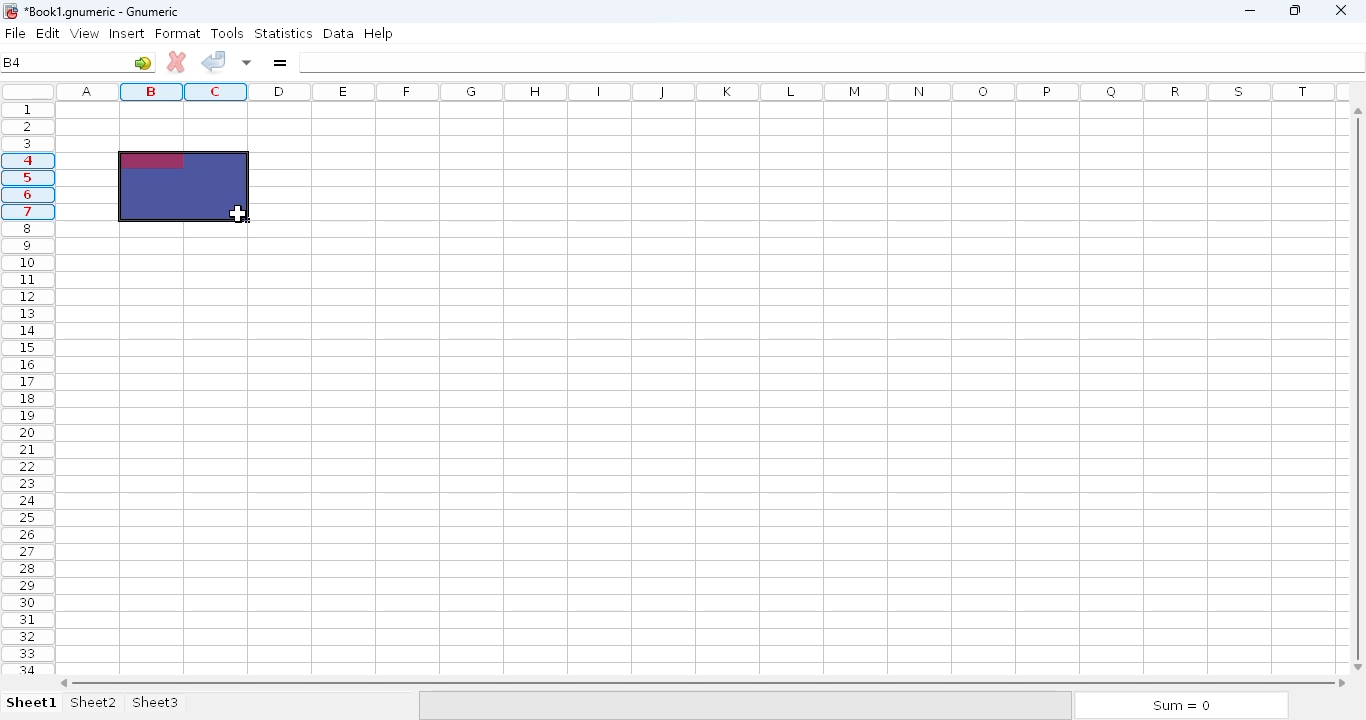  What do you see at coordinates (226, 33) in the screenshot?
I see `tools` at bounding box center [226, 33].